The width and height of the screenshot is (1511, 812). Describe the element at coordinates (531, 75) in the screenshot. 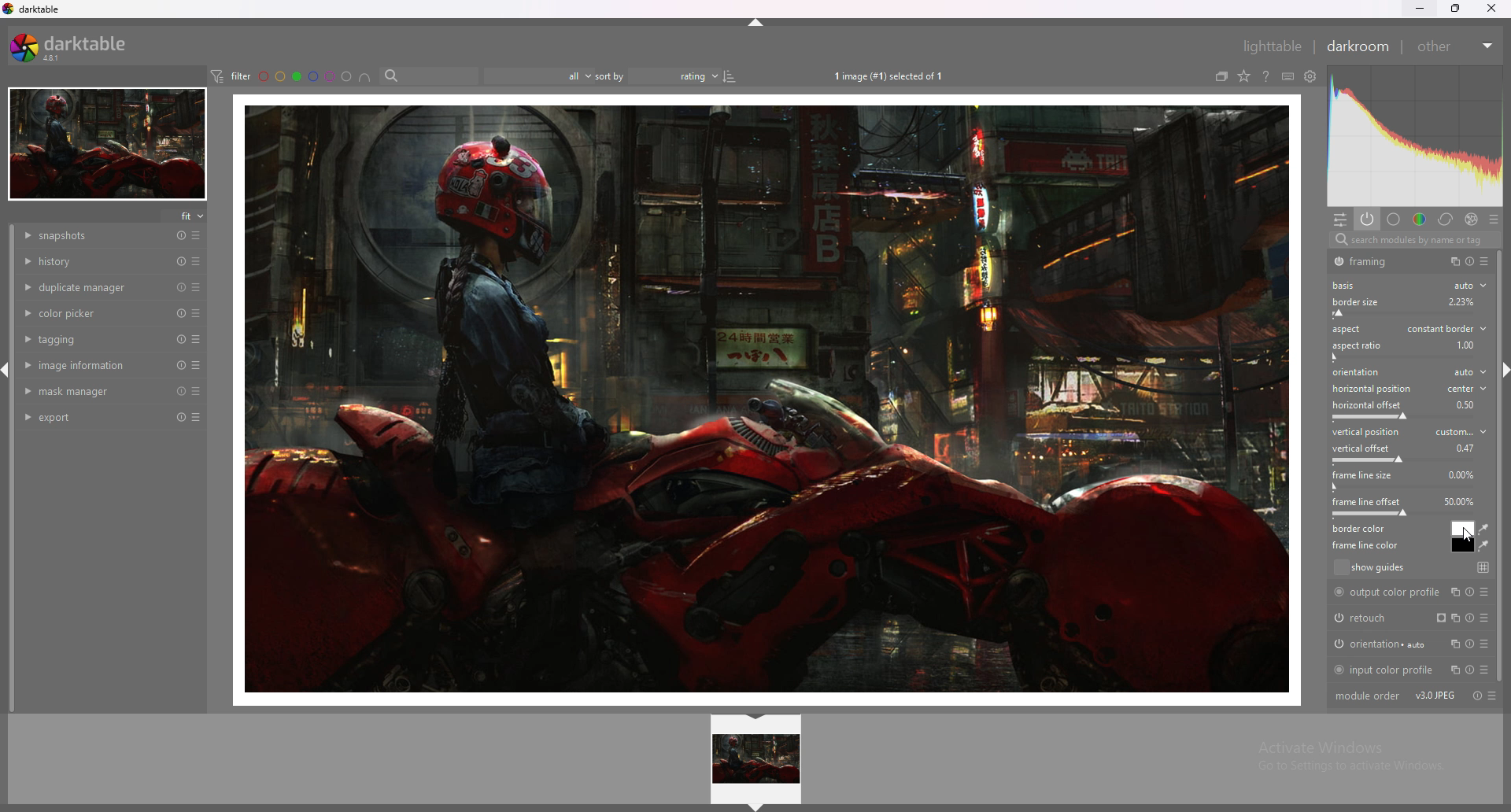

I see `filter by images rating` at that location.